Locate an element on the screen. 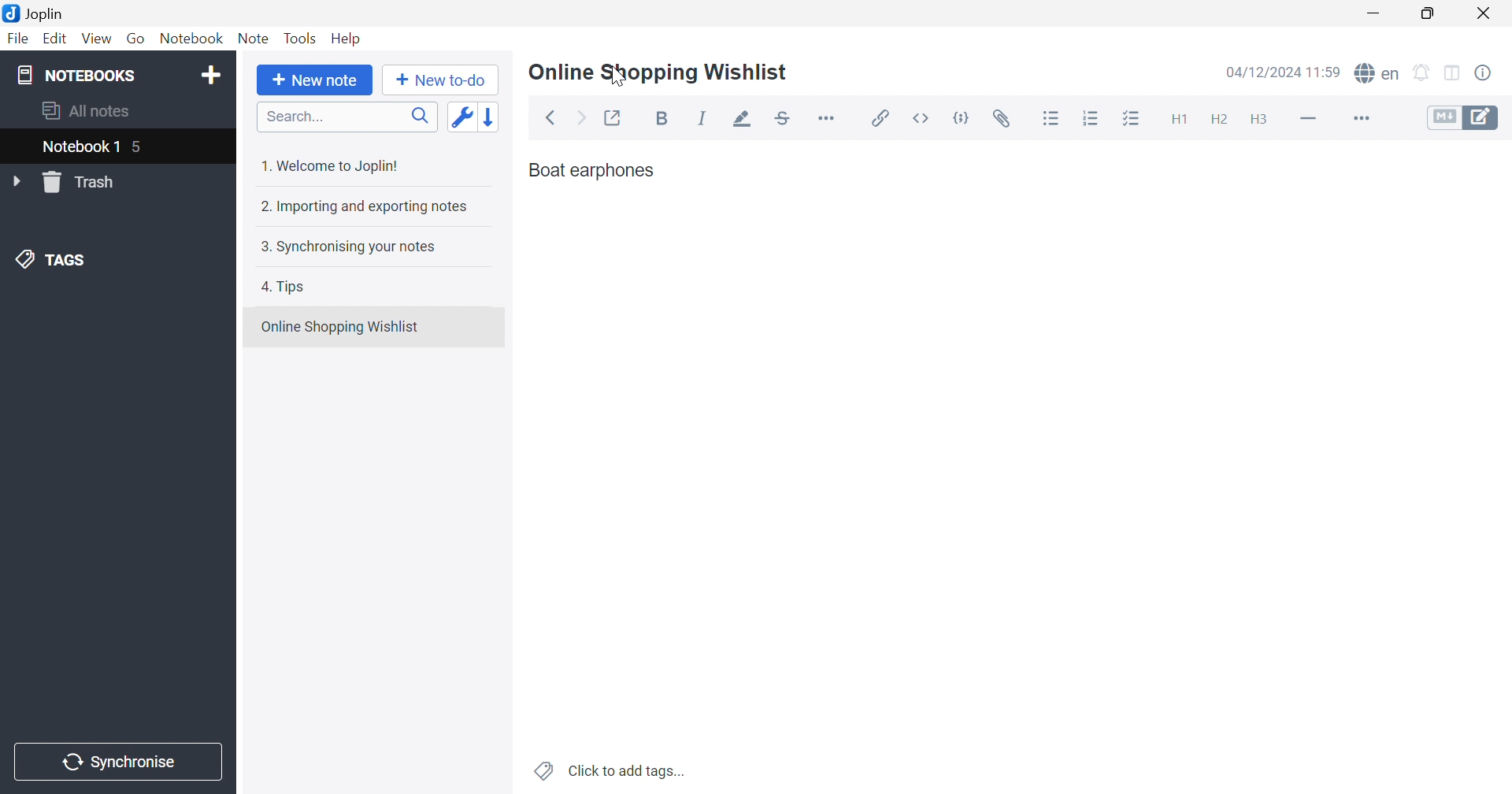  Set alarm is located at coordinates (1421, 72).